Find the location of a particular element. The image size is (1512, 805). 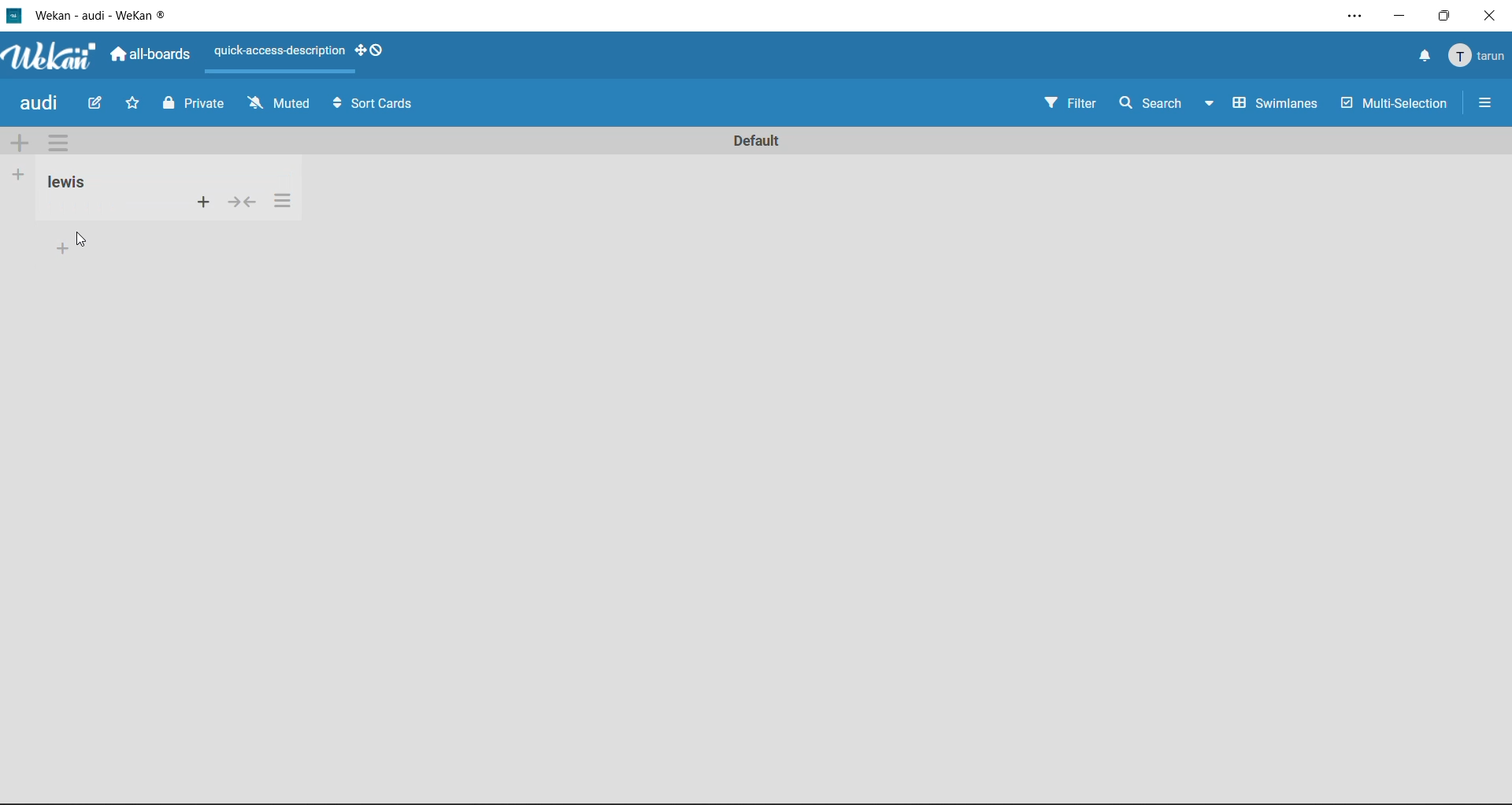

Wekan is located at coordinates (46, 57).